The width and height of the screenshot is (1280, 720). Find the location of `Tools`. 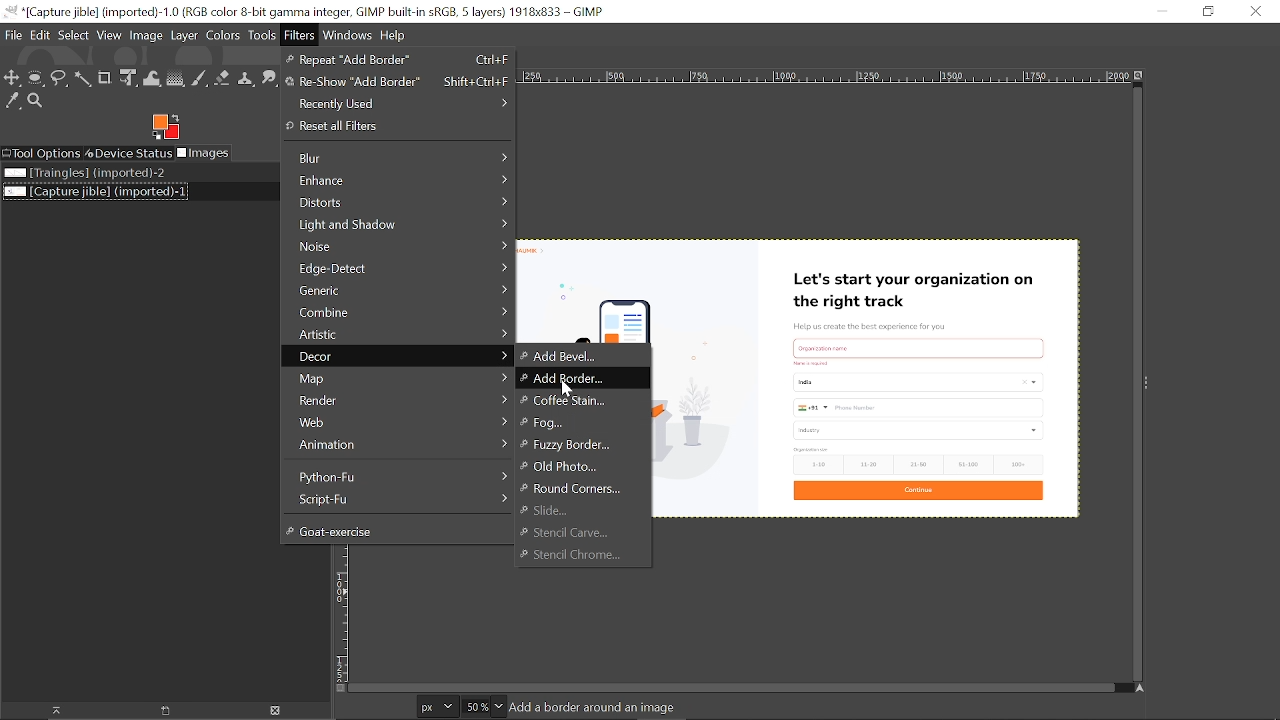

Tools is located at coordinates (262, 35).